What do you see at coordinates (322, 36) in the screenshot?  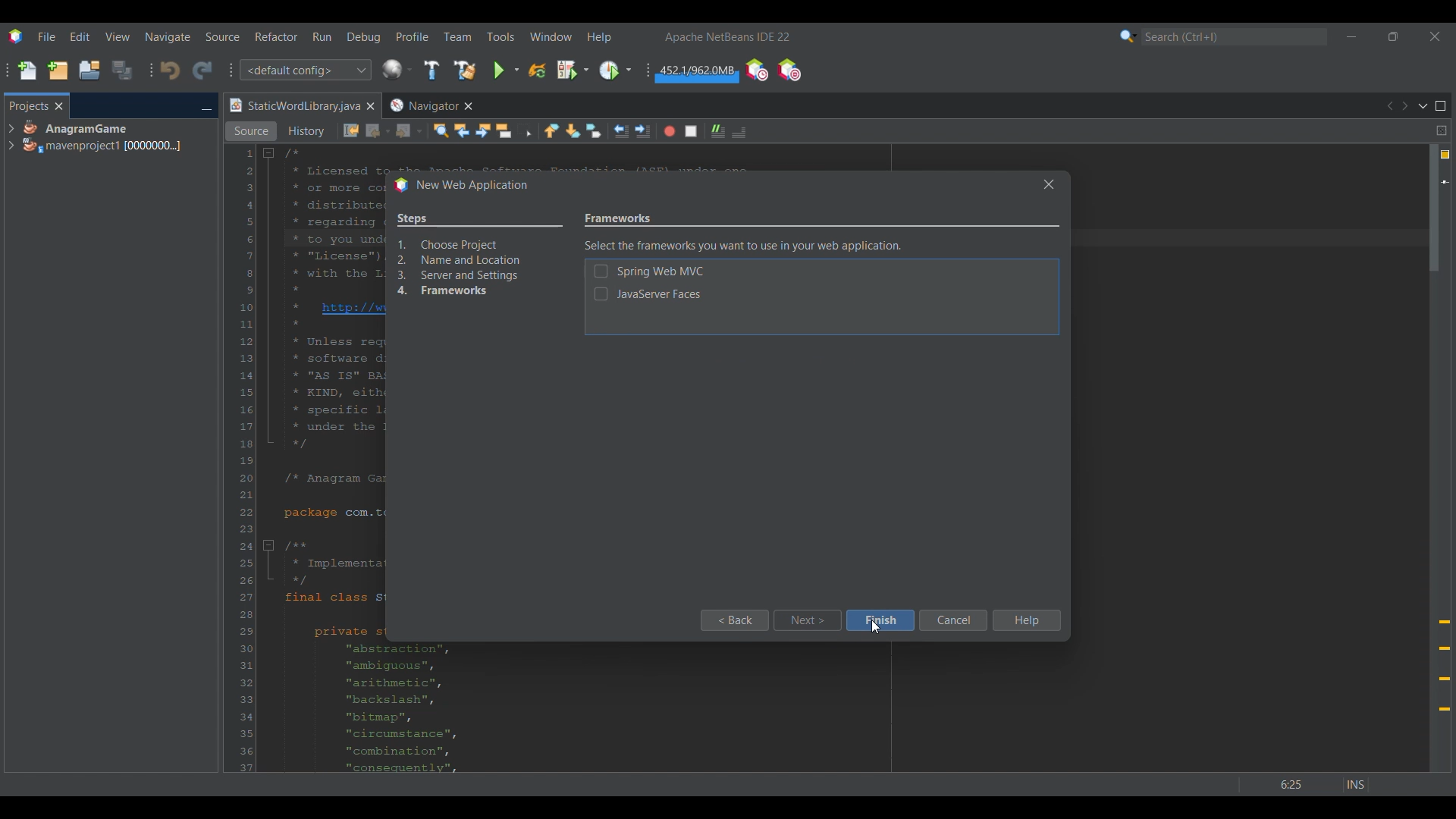 I see `Run menu` at bounding box center [322, 36].